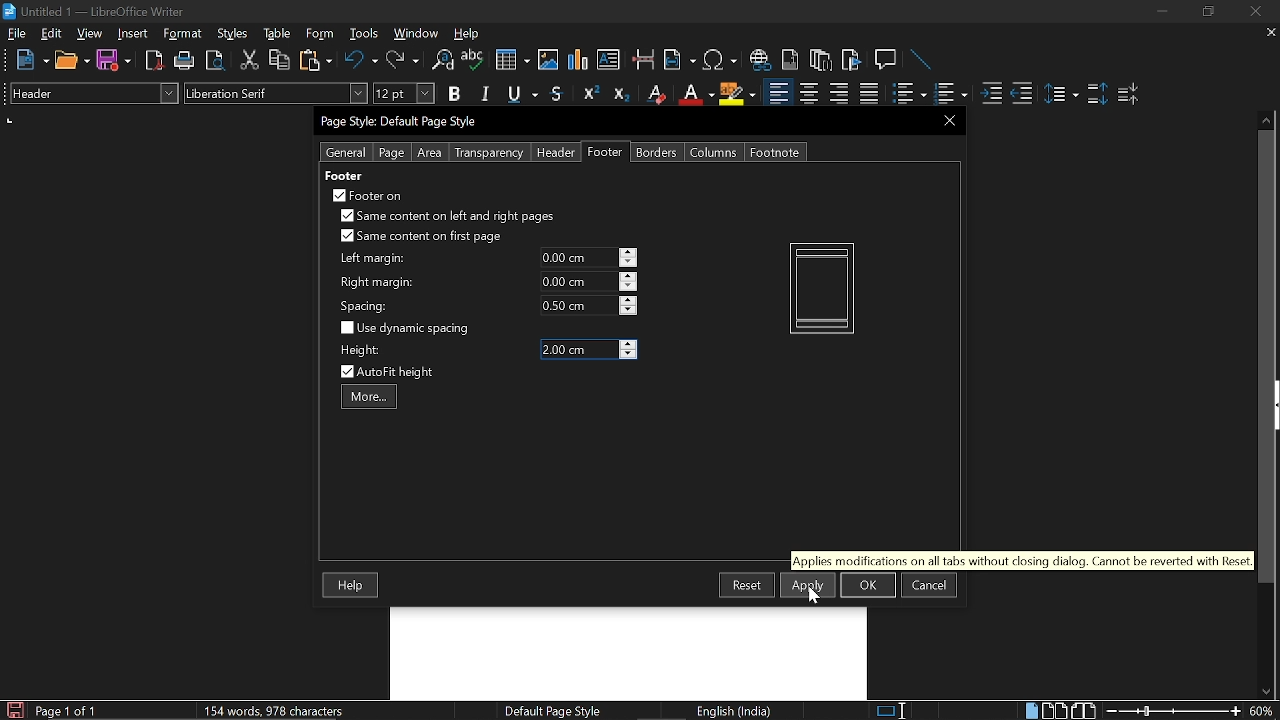 The height and width of the screenshot is (720, 1280). What do you see at coordinates (1276, 405) in the screenshot?
I see `sidebar menu` at bounding box center [1276, 405].